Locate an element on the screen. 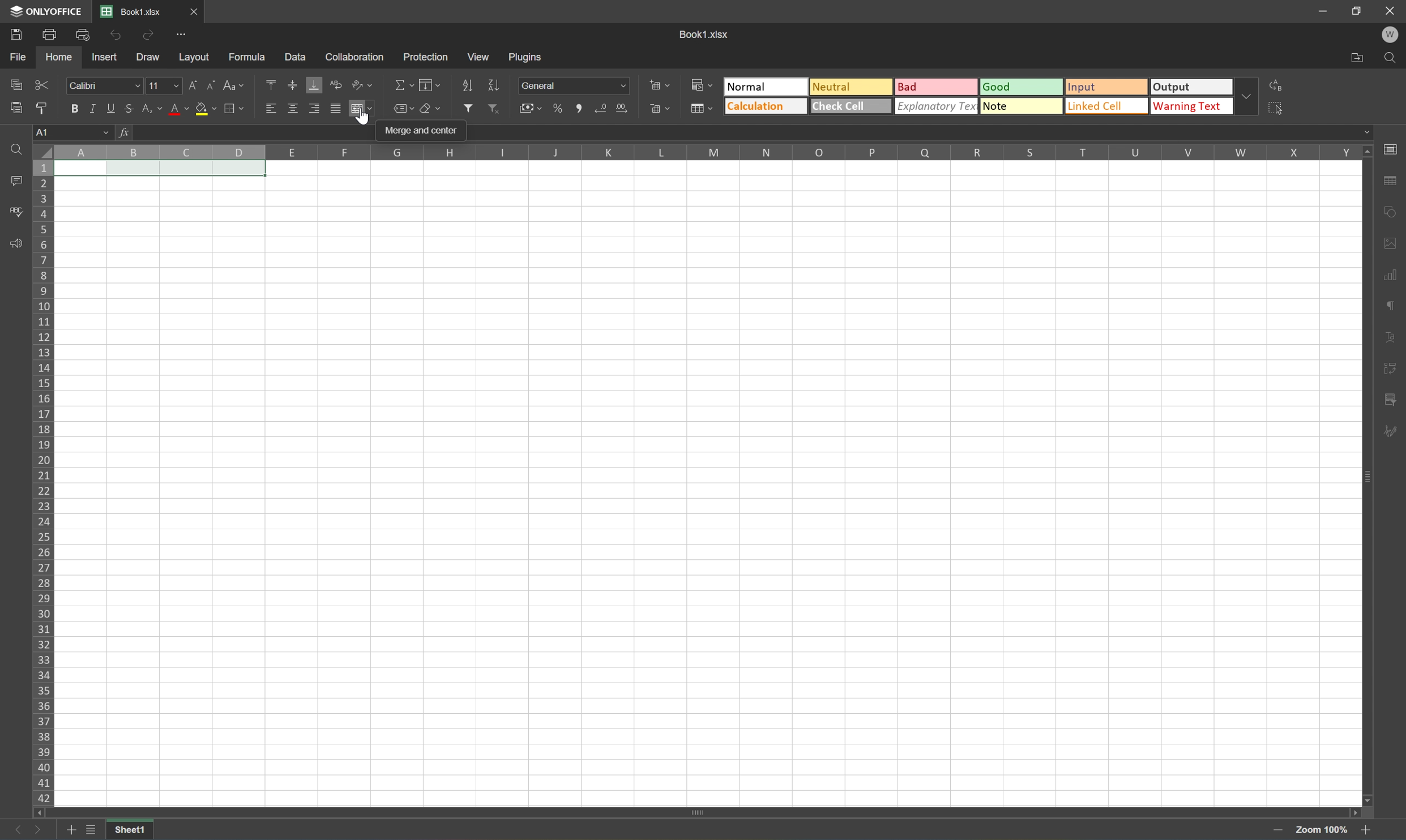 This screenshot has height=840, width=1406. Cut is located at coordinates (42, 84).